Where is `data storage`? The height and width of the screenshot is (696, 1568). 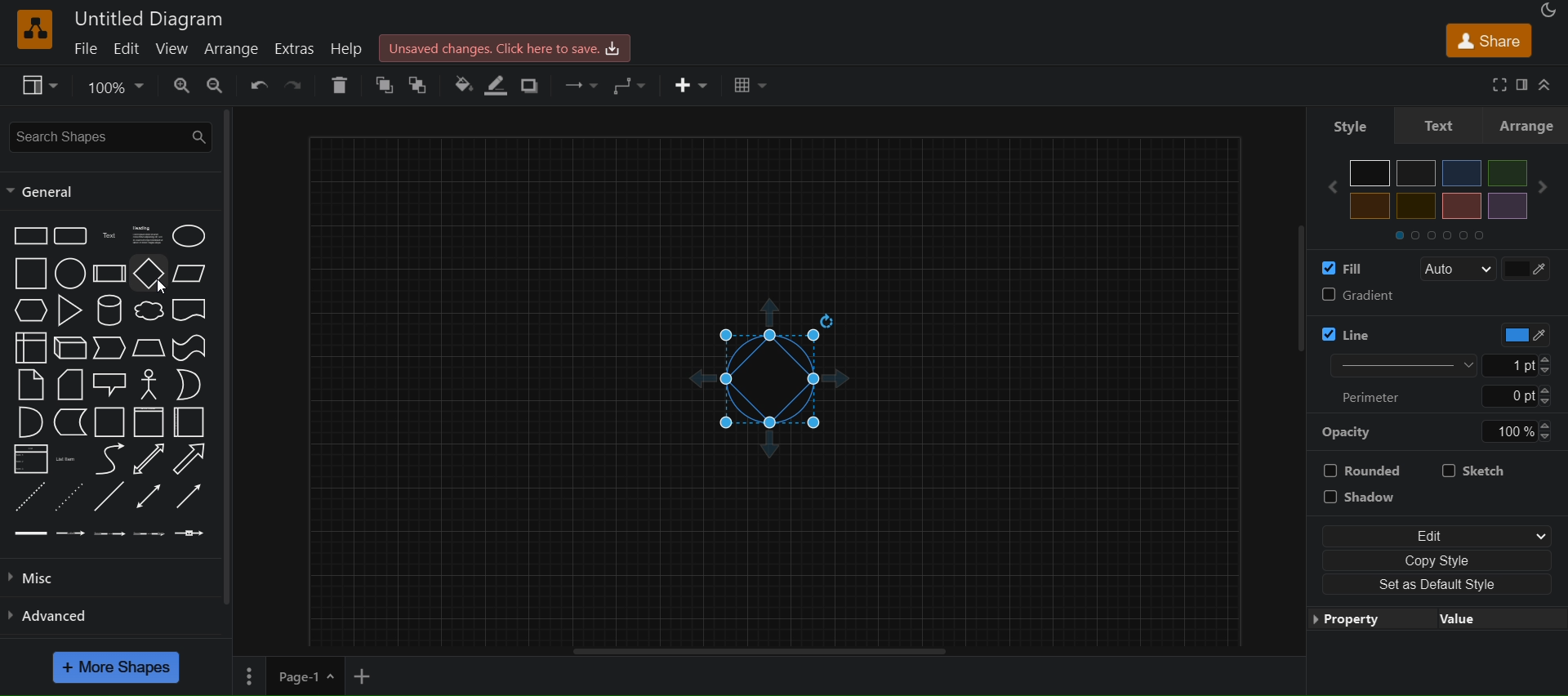
data storage is located at coordinates (72, 422).